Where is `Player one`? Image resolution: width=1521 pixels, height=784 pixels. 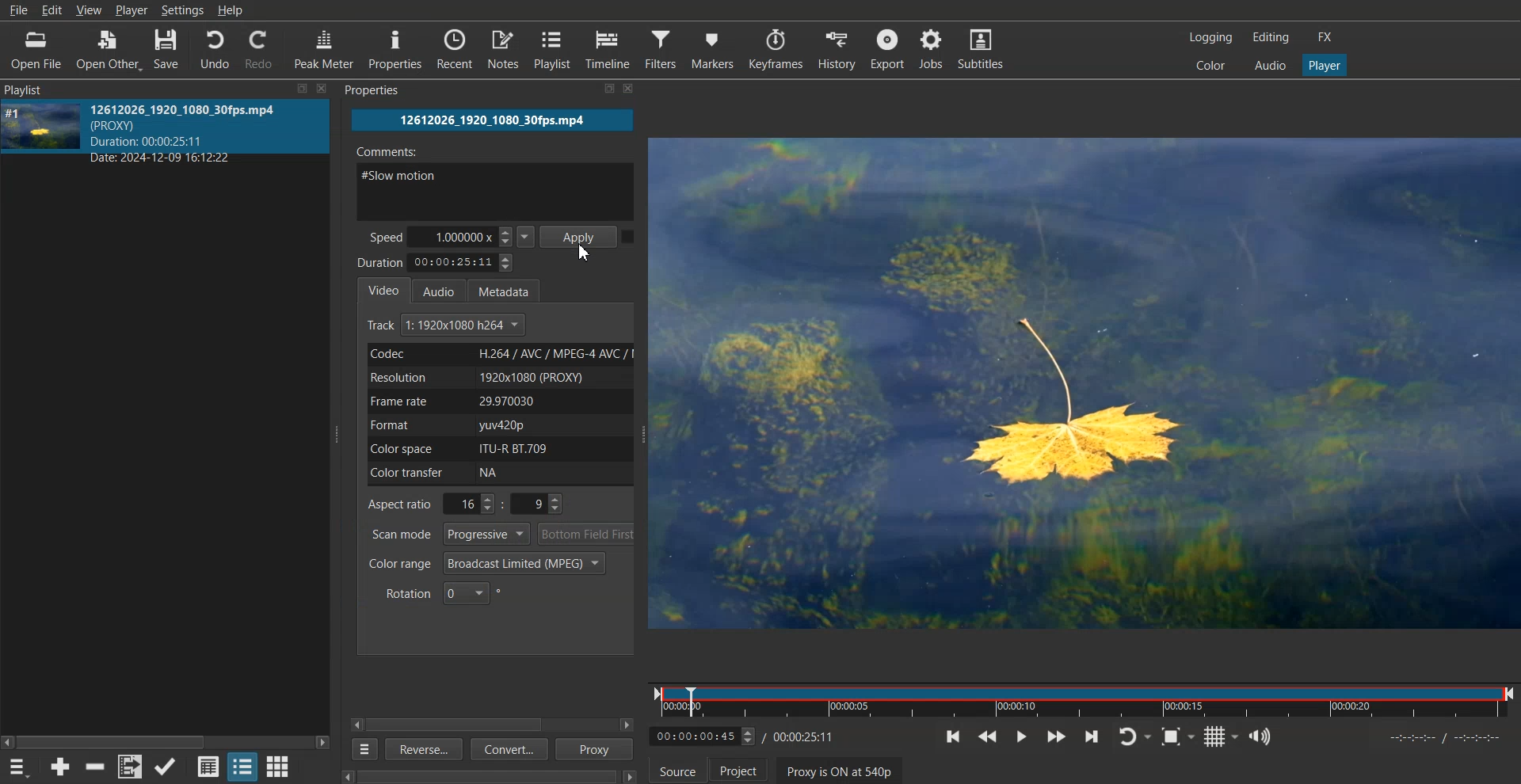 Player one is located at coordinates (1323, 63).